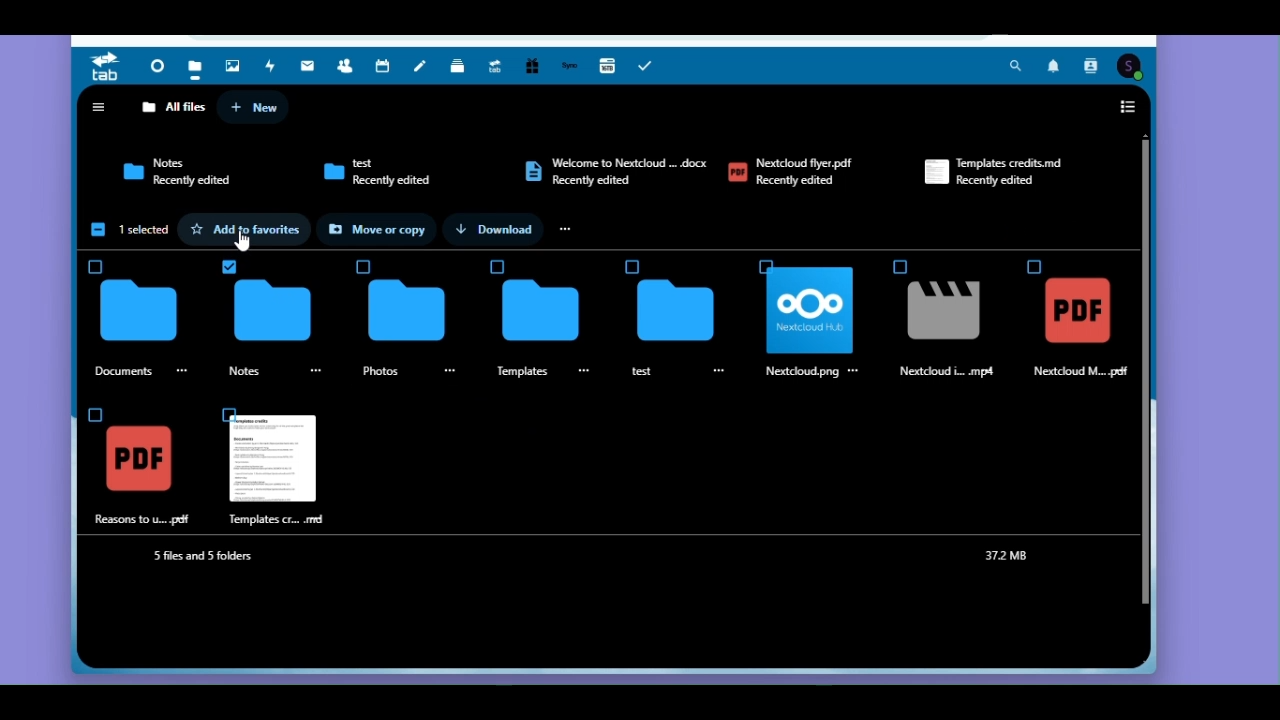  I want to click on Ellipsis, so click(721, 371).